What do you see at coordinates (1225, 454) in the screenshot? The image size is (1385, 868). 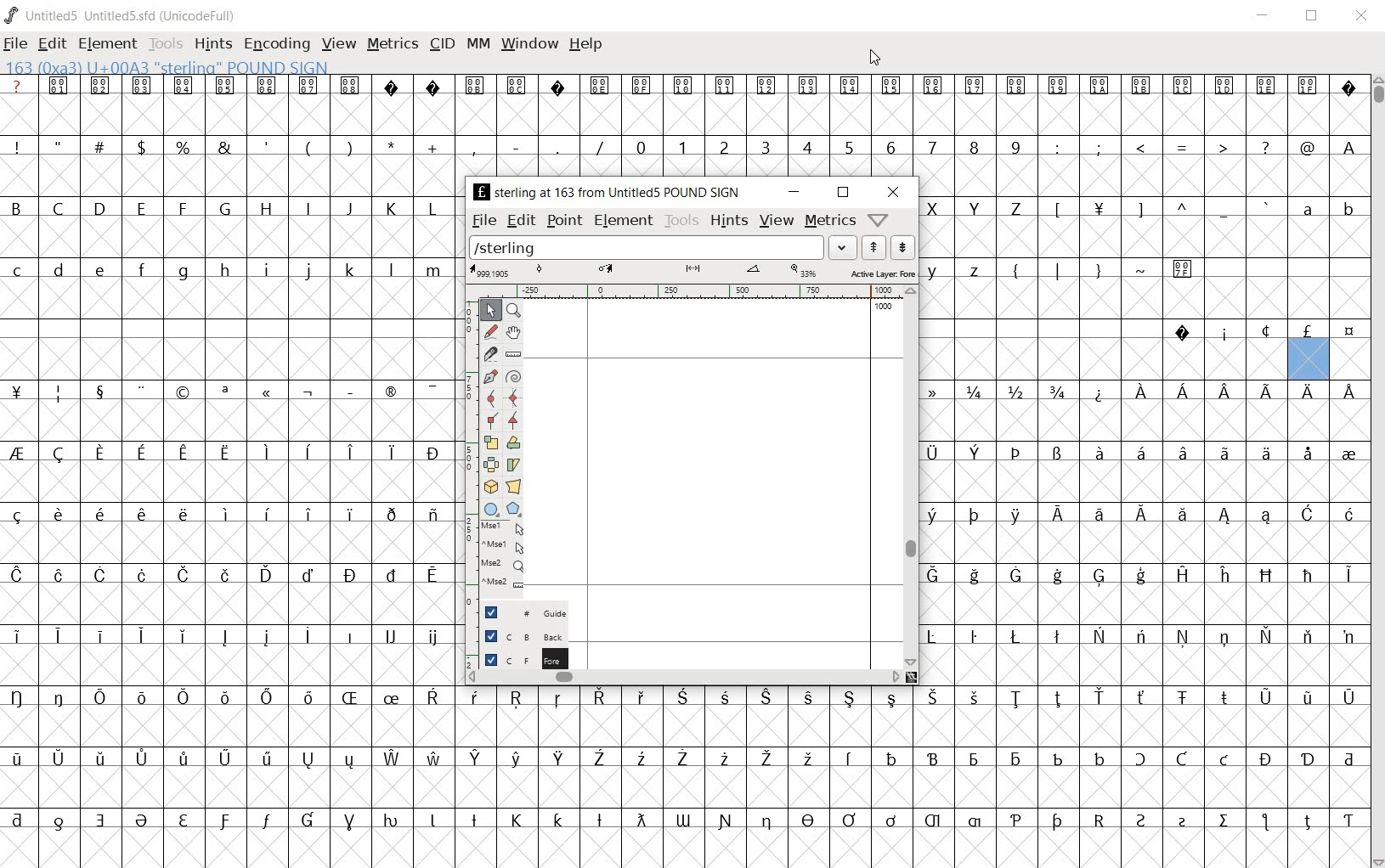 I see `Symbol` at bounding box center [1225, 454].